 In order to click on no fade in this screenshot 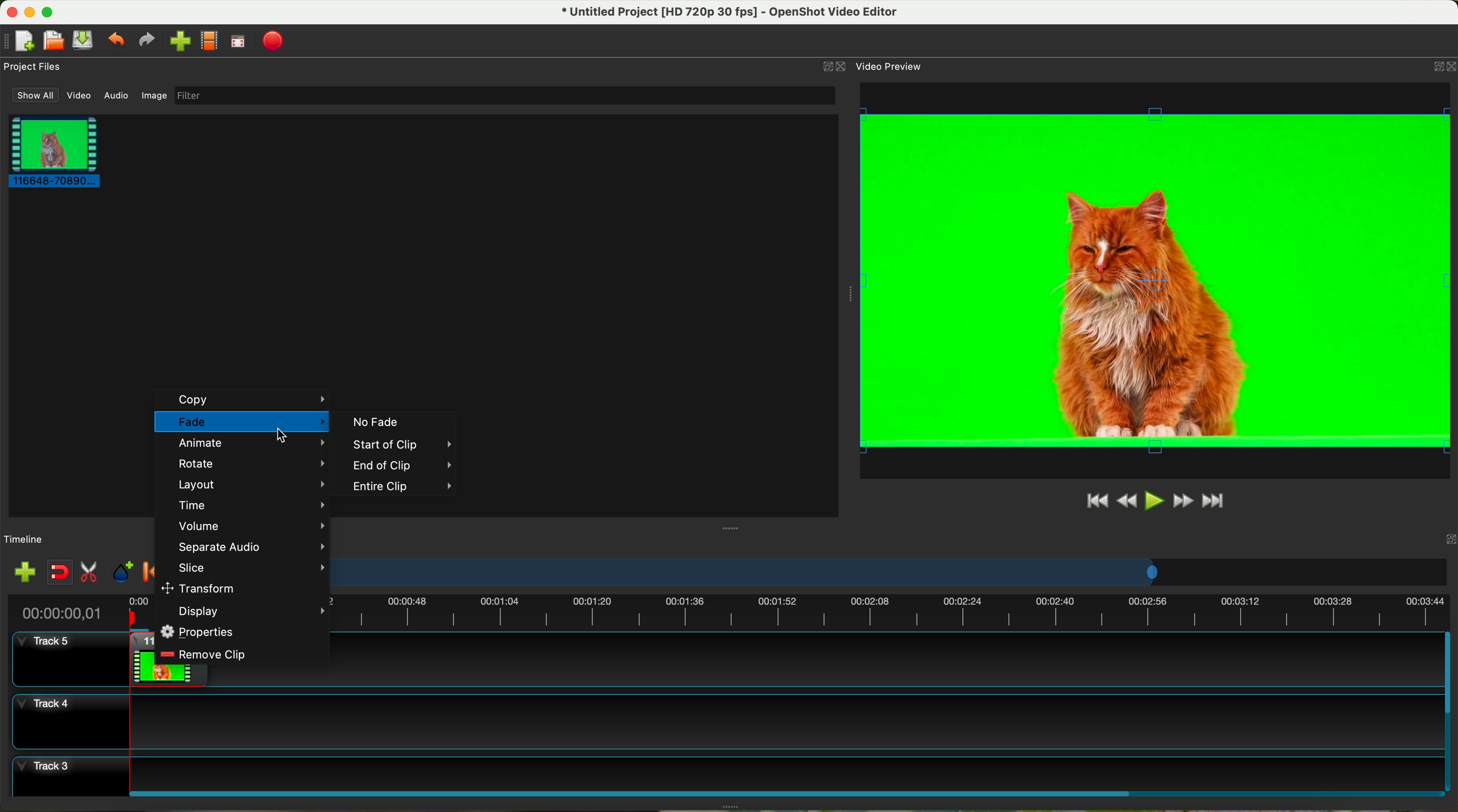, I will do `click(374, 422)`.